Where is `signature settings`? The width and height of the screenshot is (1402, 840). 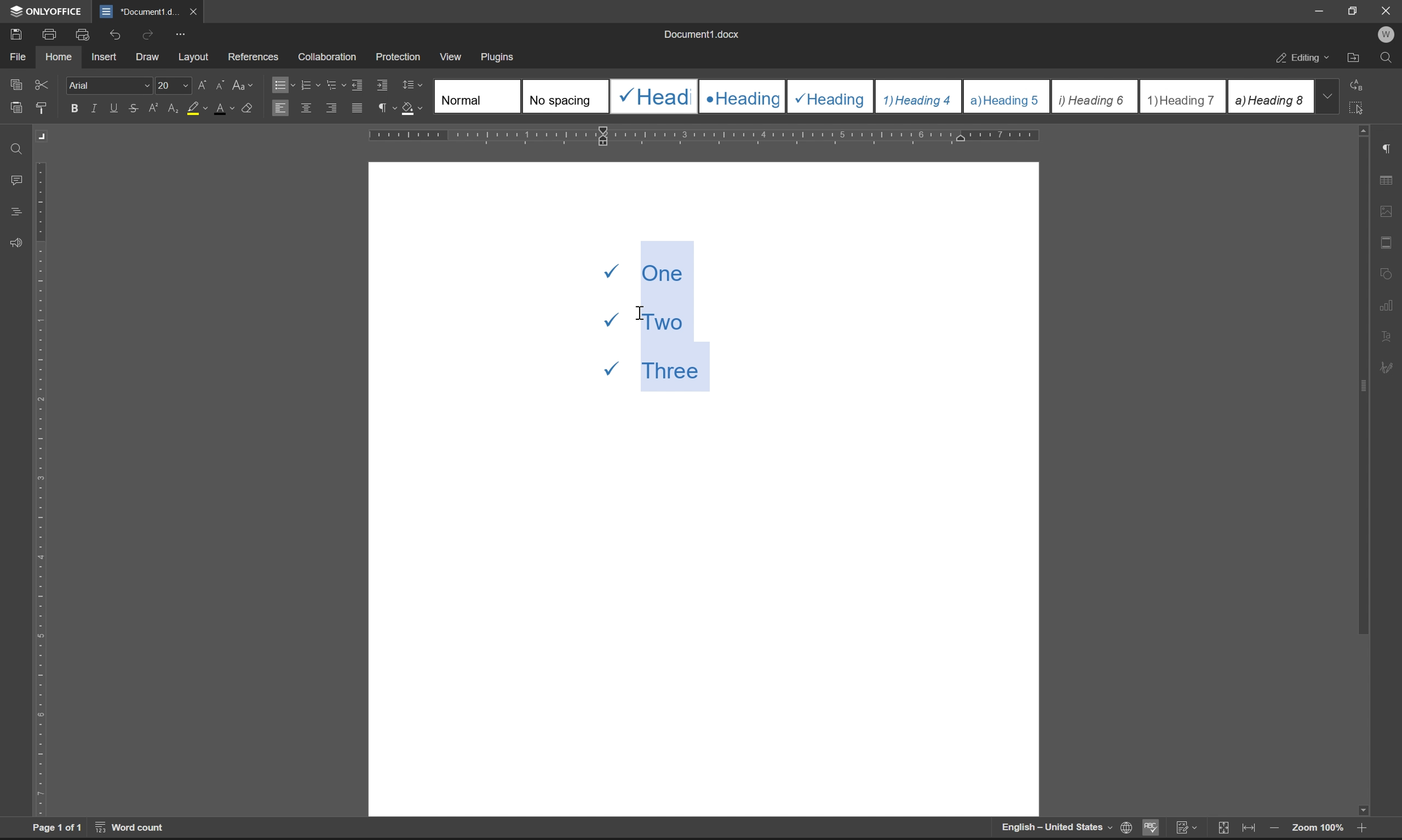 signature settings is located at coordinates (1390, 368).